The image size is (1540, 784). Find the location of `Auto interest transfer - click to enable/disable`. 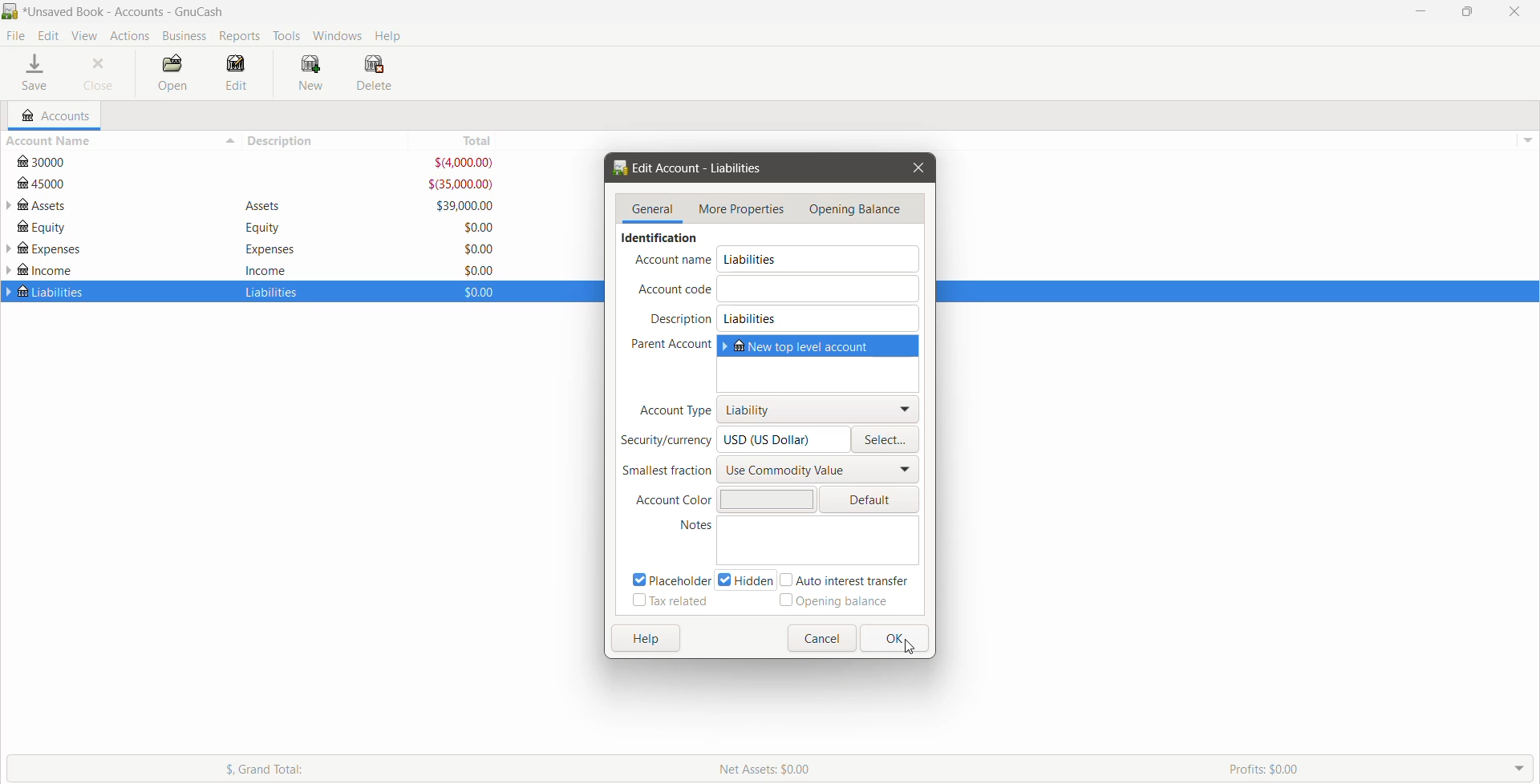

Auto interest transfer - click to enable/disable is located at coordinates (851, 580).